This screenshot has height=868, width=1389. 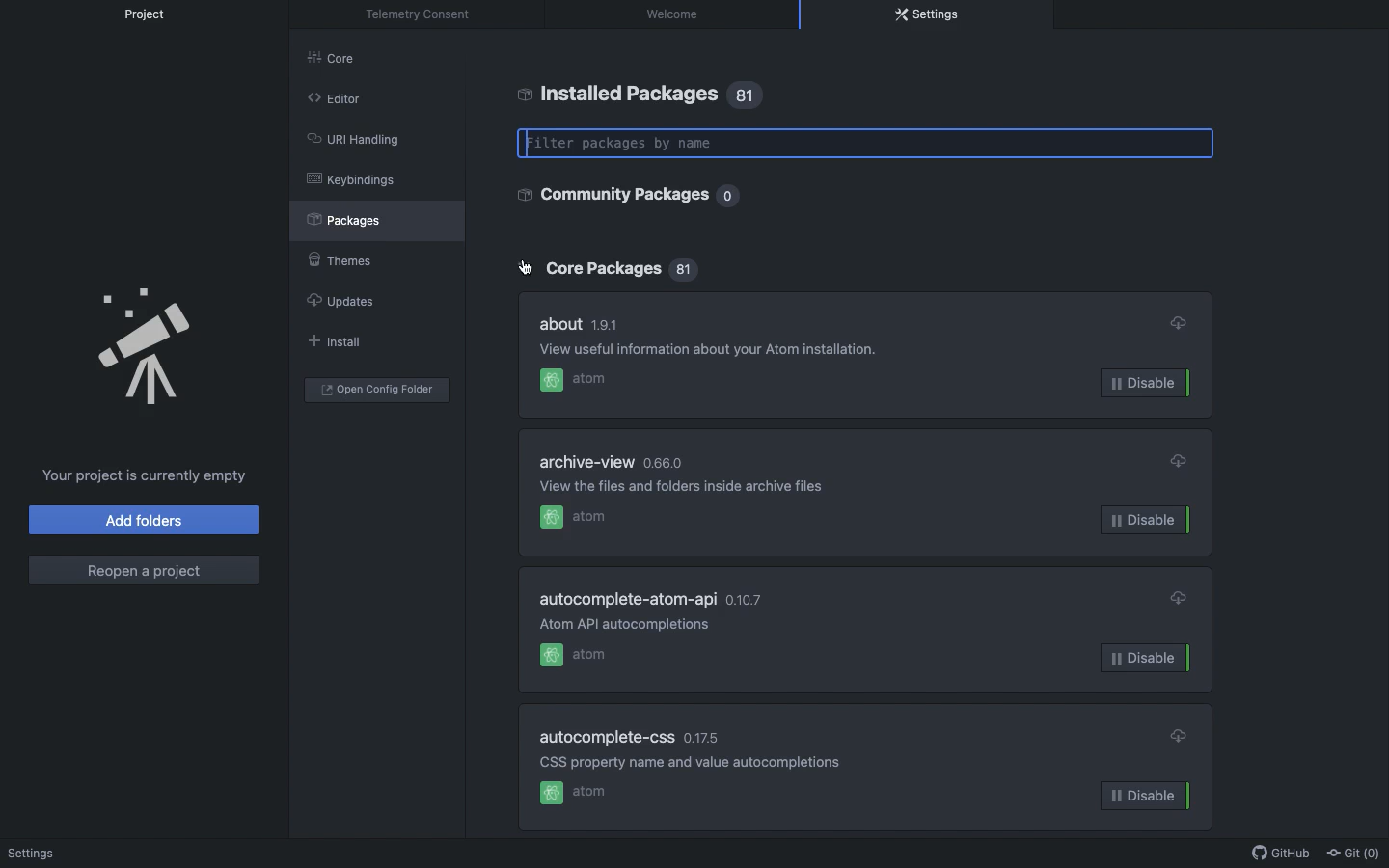 What do you see at coordinates (617, 94) in the screenshot?
I see `Installed packages` at bounding box center [617, 94].